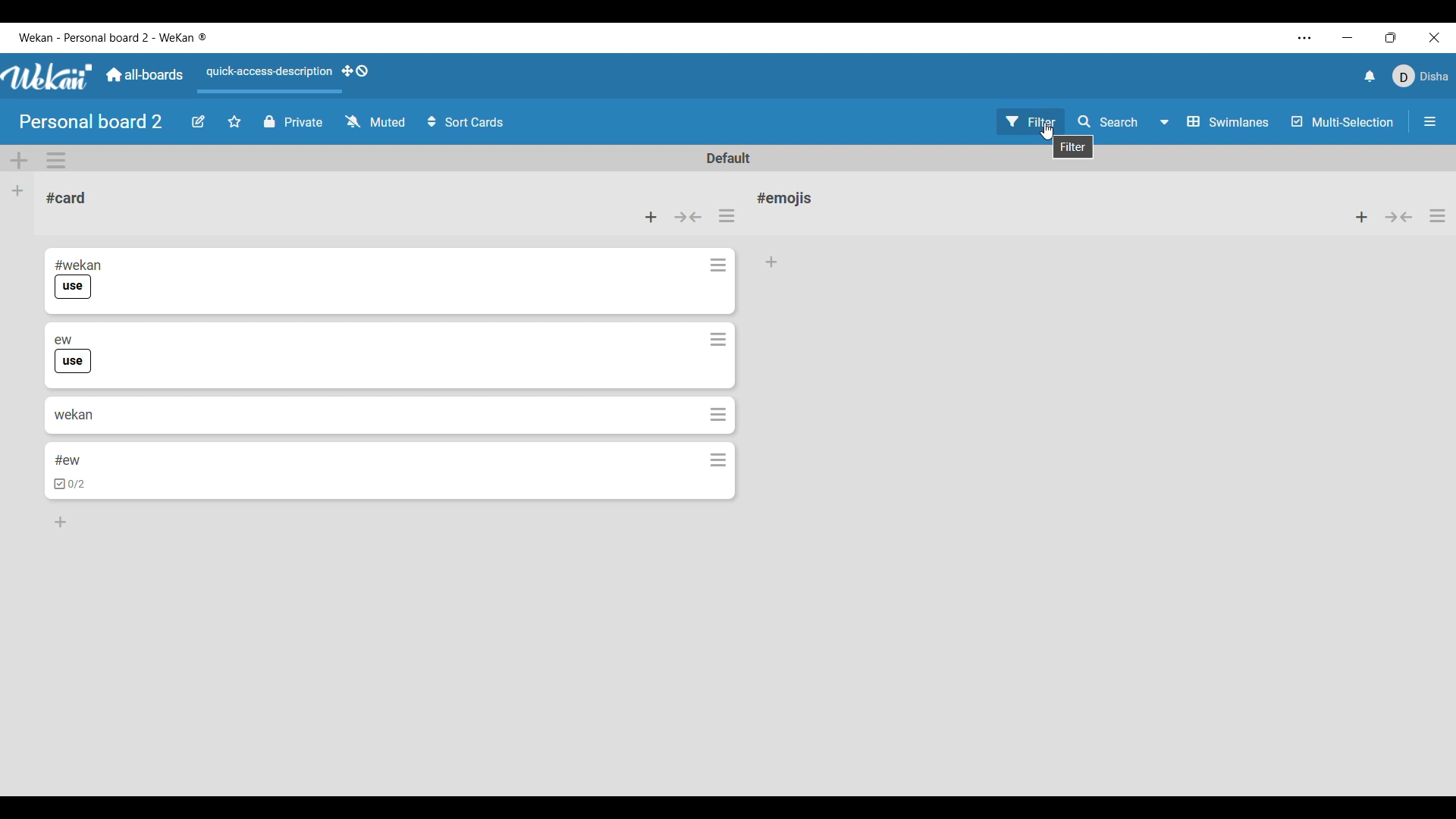  I want to click on Card name, so click(66, 198).